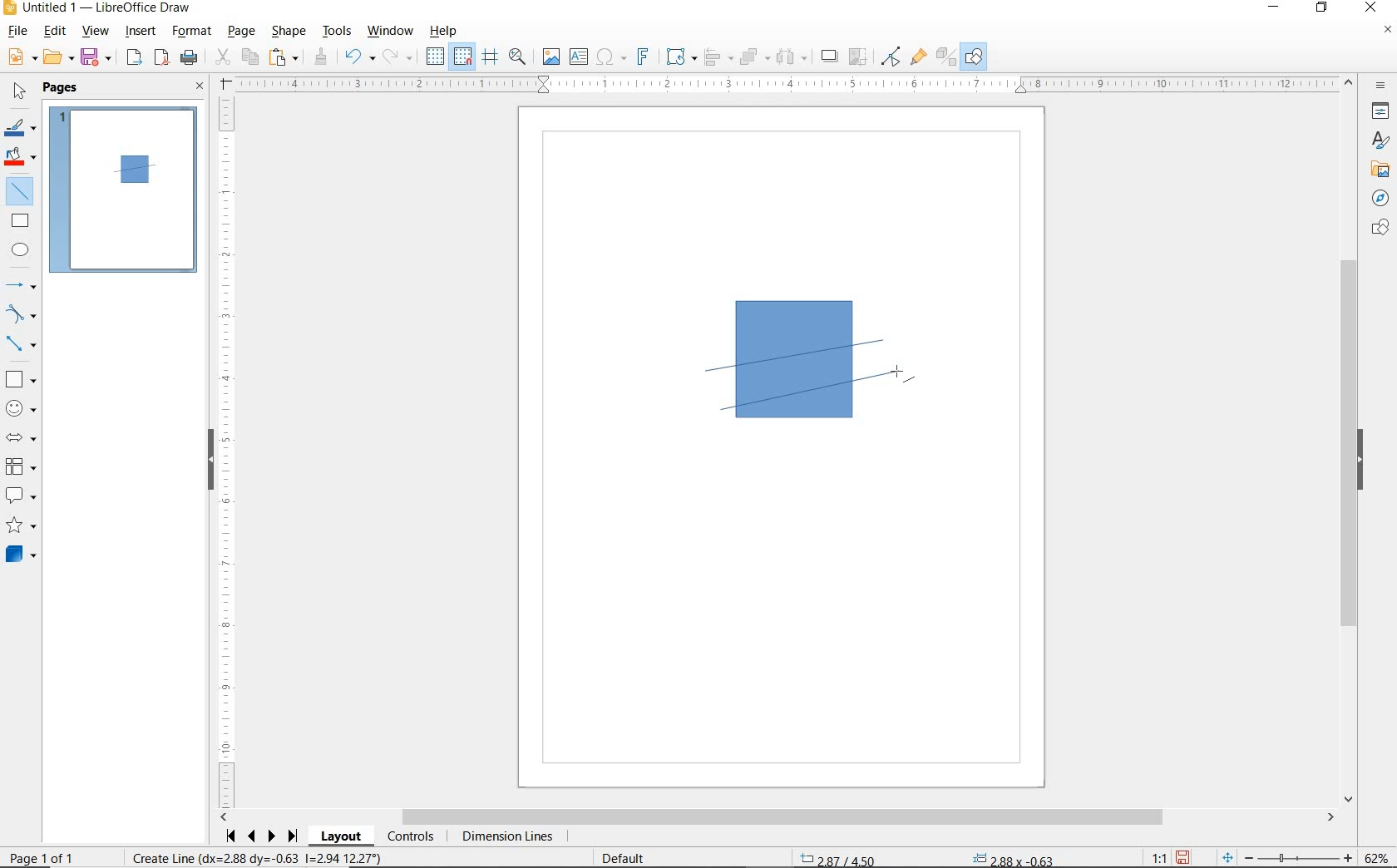 The height and width of the screenshot is (868, 1397). Describe the element at coordinates (391, 32) in the screenshot. I see `WINDOW` at that location.